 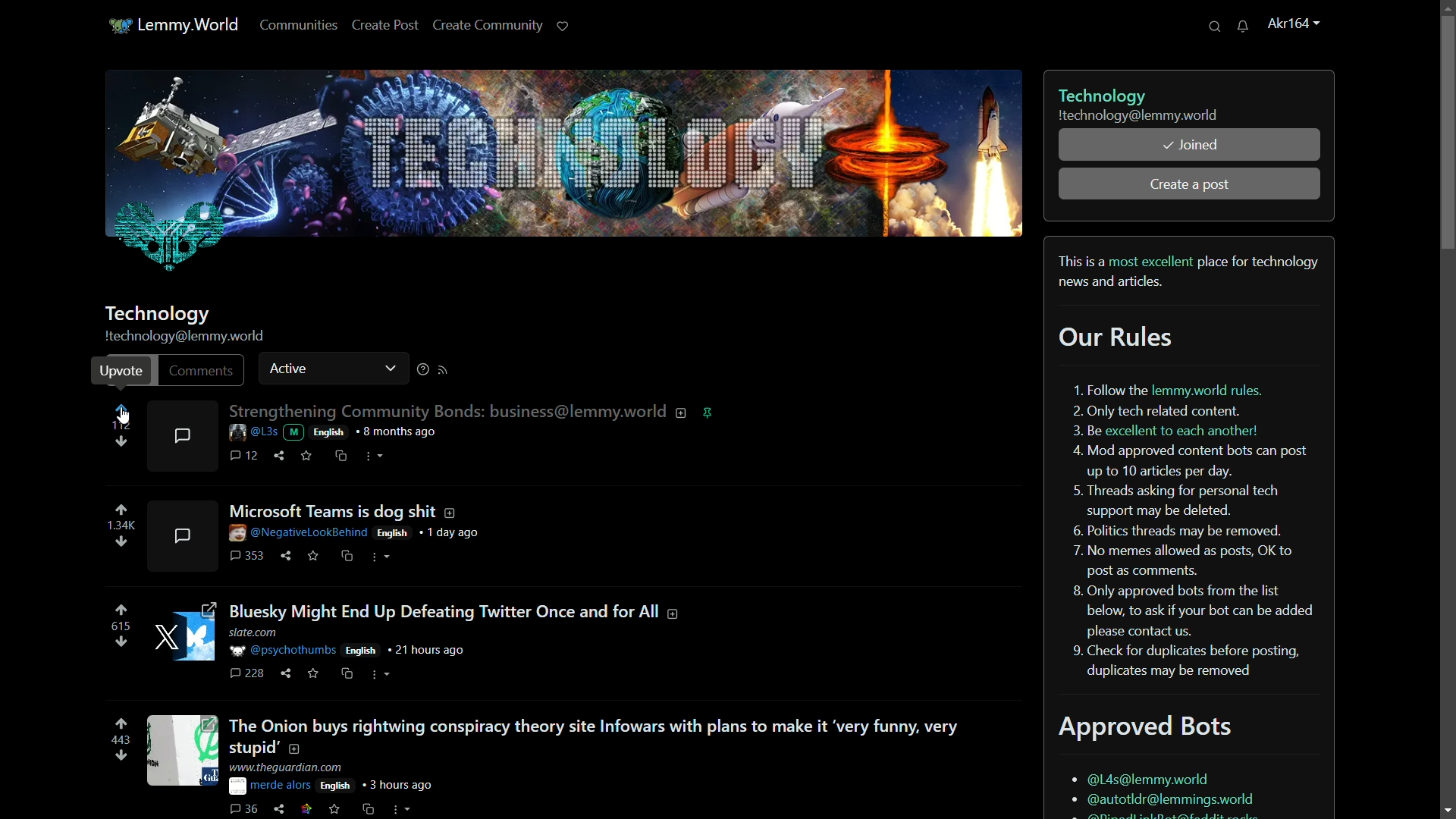 What do you see at coordinates (243, 455) in the screenshot?
I see `comment` at bounding box center [243, 455].